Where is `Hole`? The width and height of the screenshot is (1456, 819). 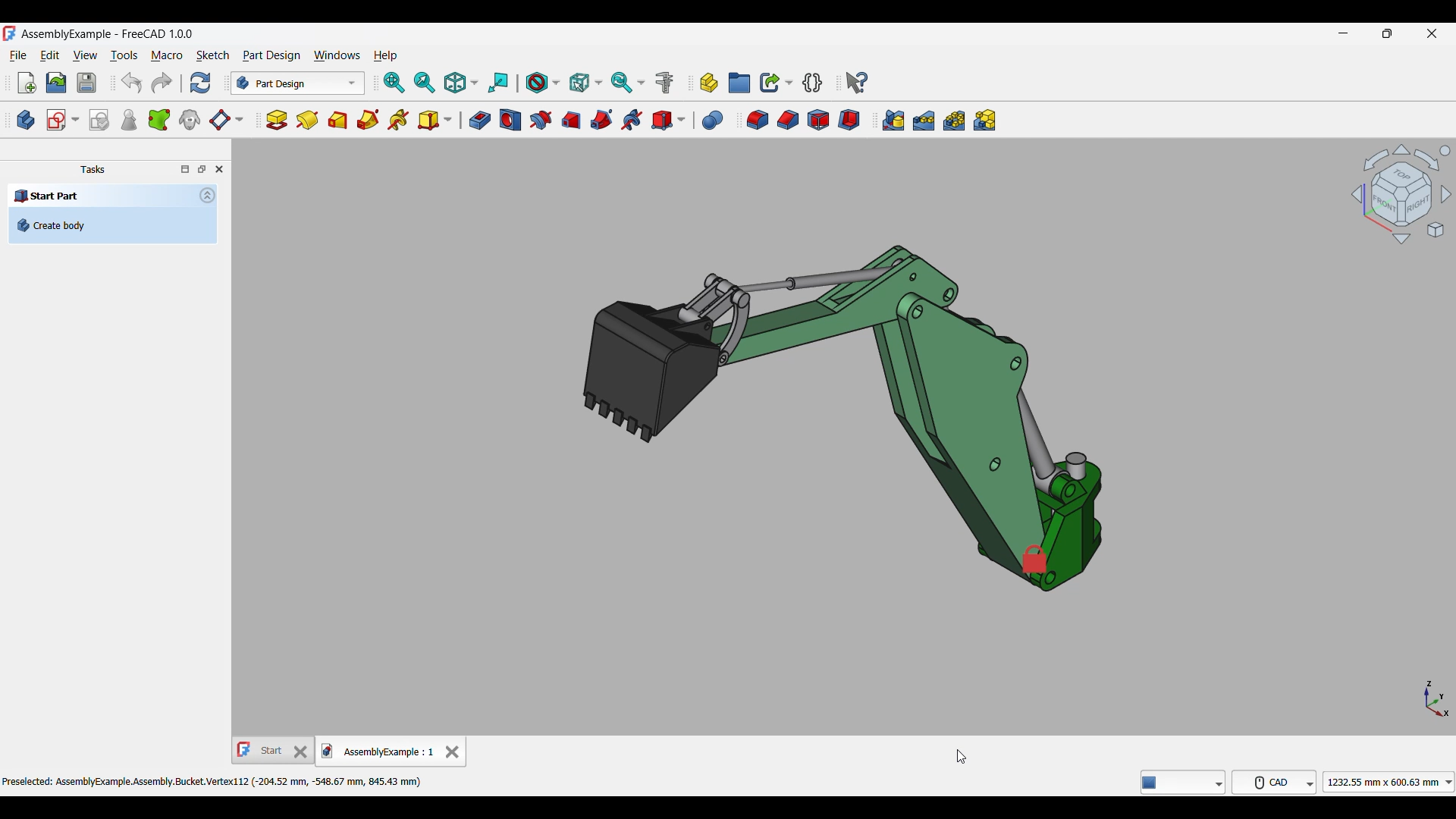
Hole is located at coordinates (510, 120).